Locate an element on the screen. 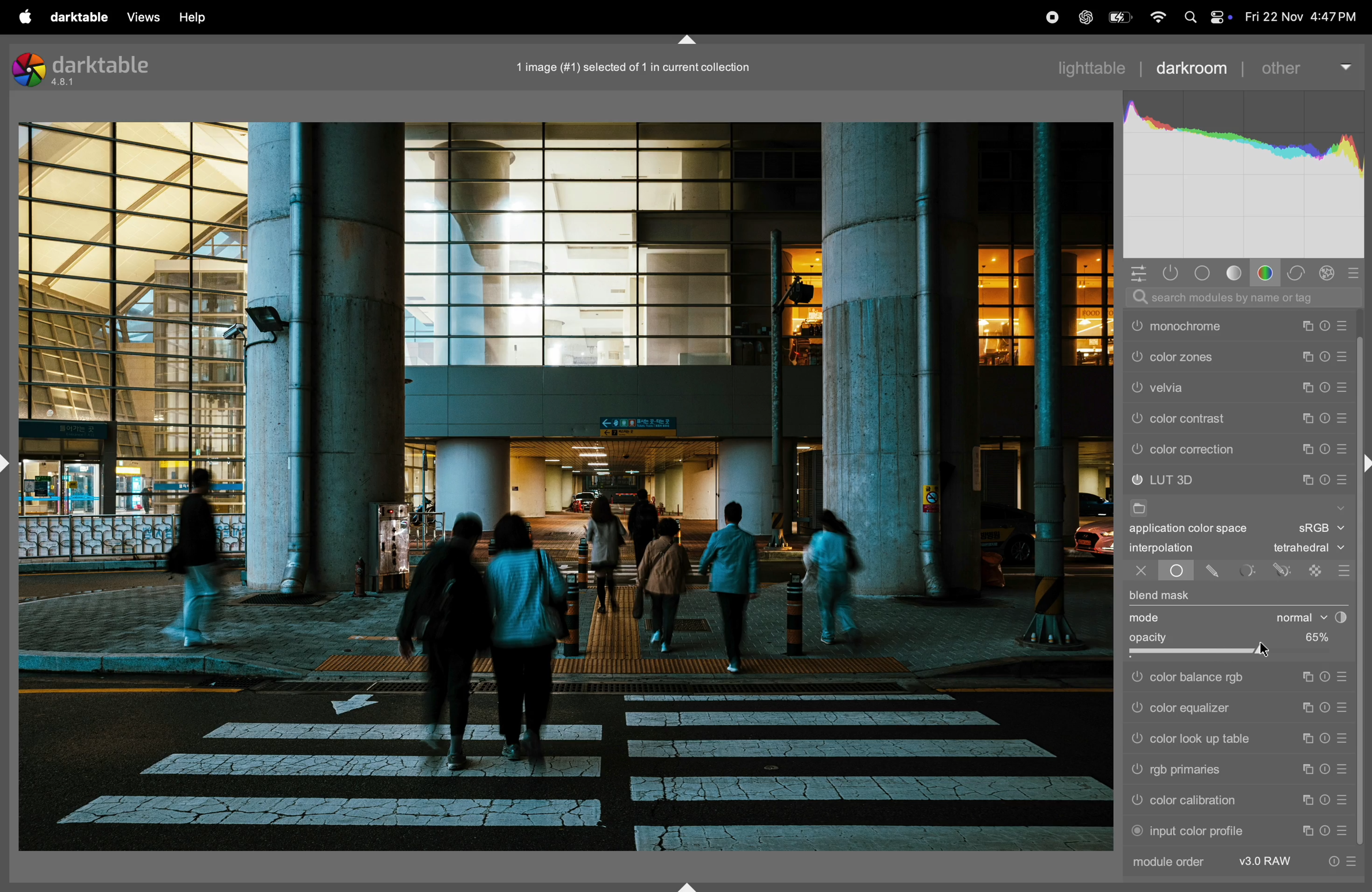  rgb primaries is located at coordinates (1204, 769).